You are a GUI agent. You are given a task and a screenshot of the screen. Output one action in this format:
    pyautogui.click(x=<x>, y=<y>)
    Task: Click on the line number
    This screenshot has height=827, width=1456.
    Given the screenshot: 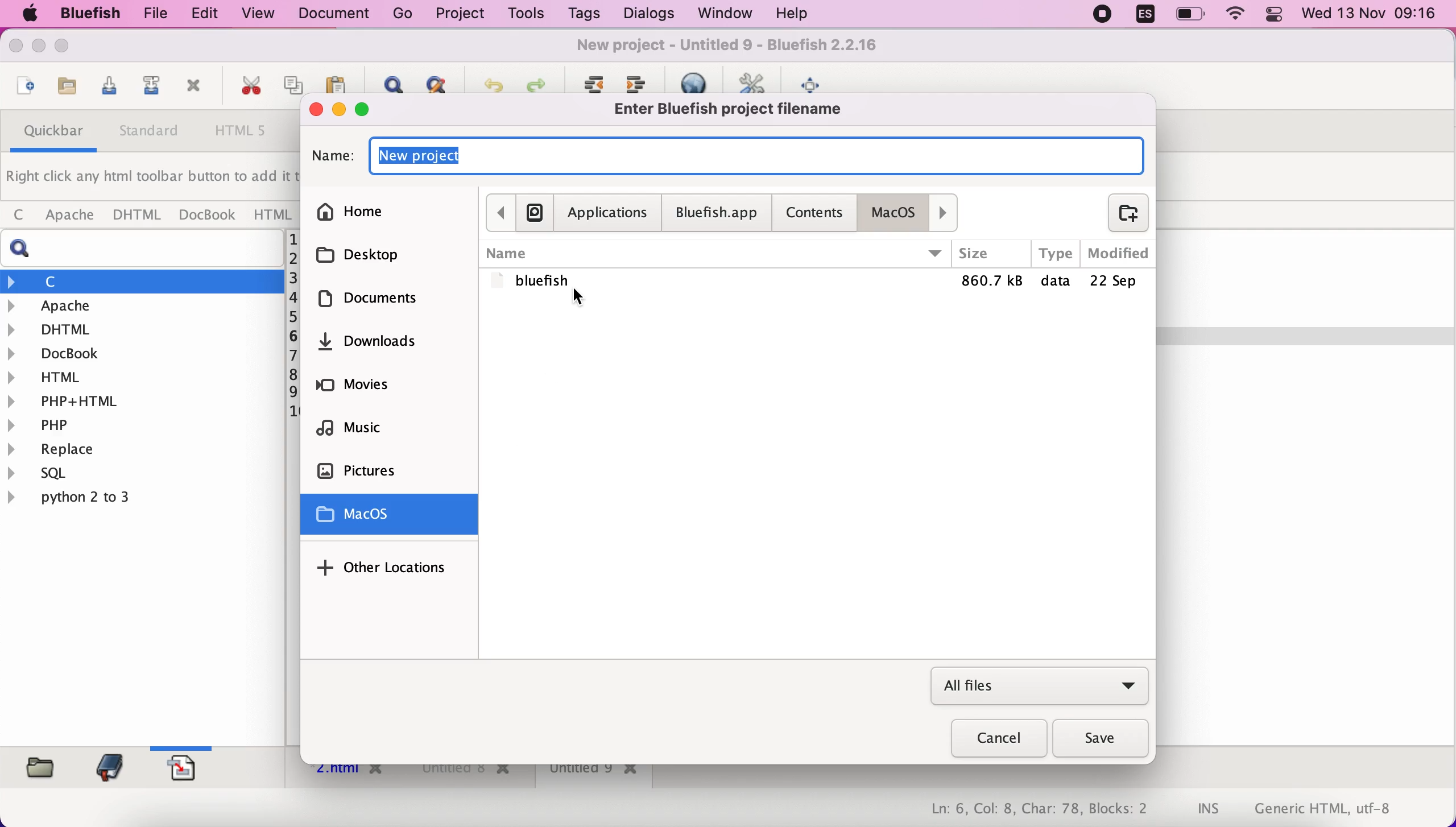 What is the action you would take?
    pyautogui.click(x=292, y=326)
    